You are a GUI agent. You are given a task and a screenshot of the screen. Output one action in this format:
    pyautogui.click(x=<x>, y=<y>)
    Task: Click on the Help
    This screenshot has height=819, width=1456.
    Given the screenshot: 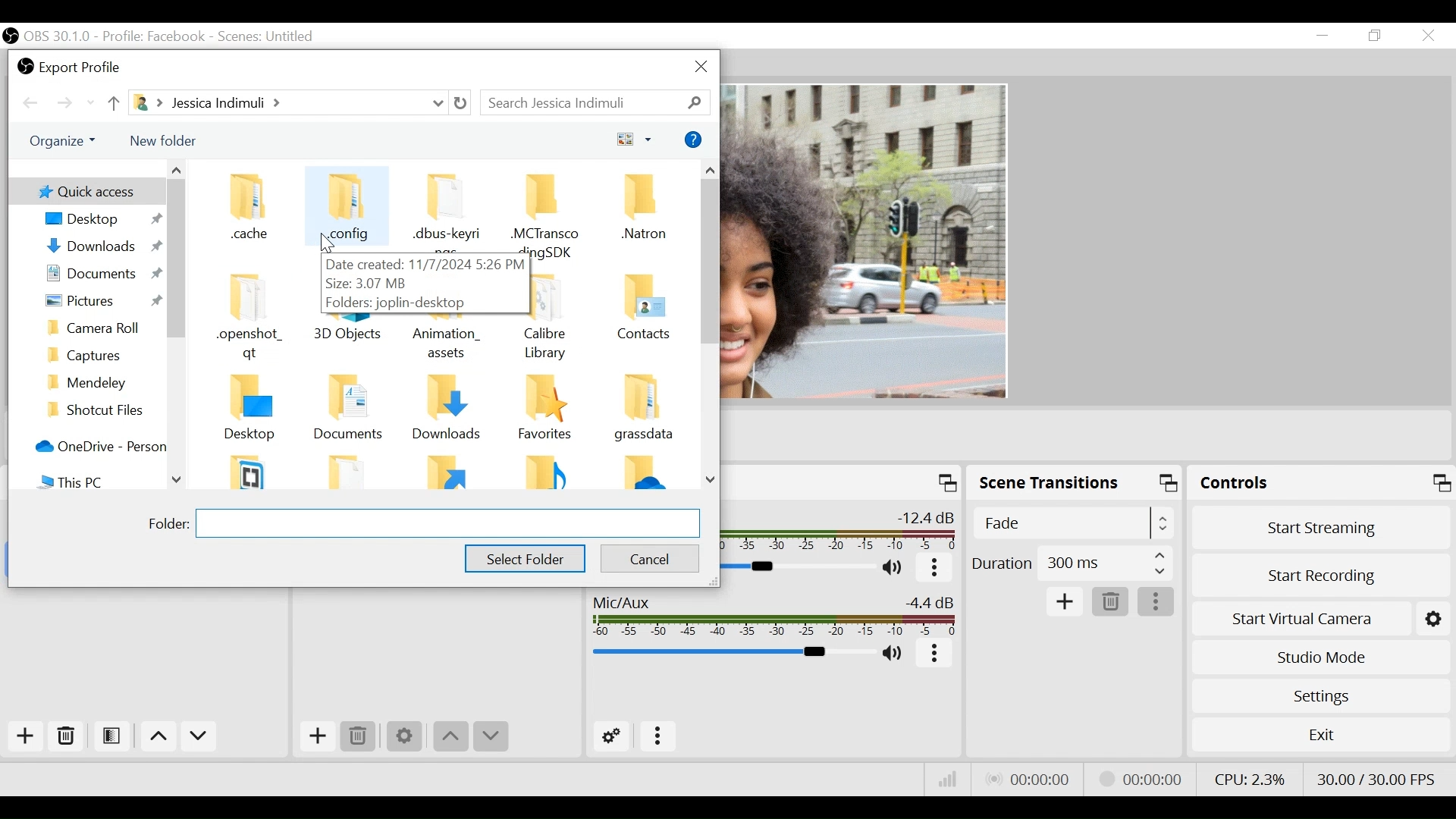 What is the action you would take?
    pyautogui.click(x=695, y=140)
    